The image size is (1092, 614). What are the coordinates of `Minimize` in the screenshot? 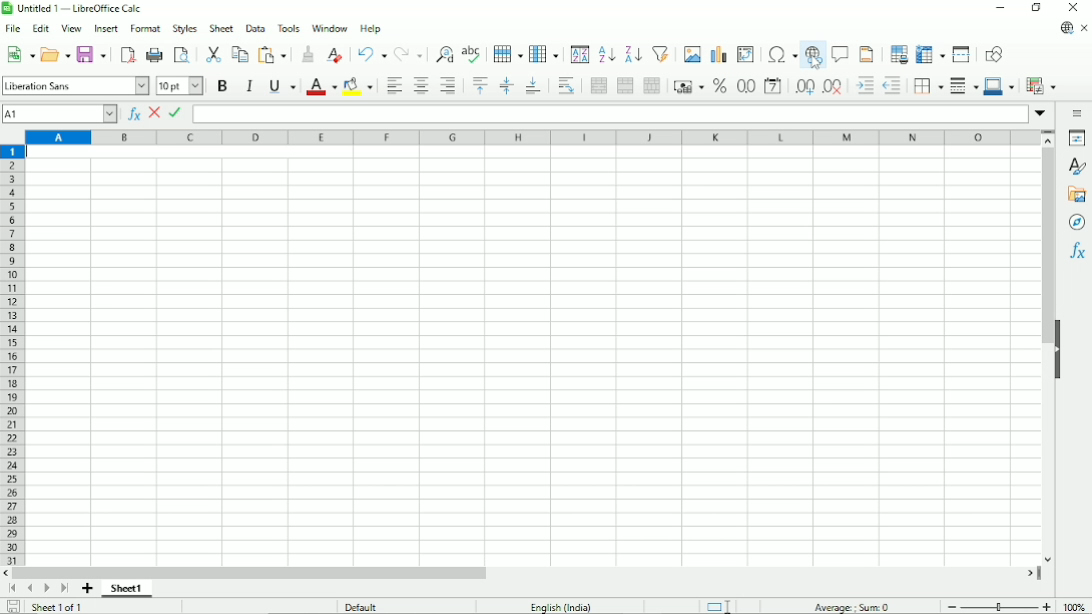 It's located at (1001, 8).